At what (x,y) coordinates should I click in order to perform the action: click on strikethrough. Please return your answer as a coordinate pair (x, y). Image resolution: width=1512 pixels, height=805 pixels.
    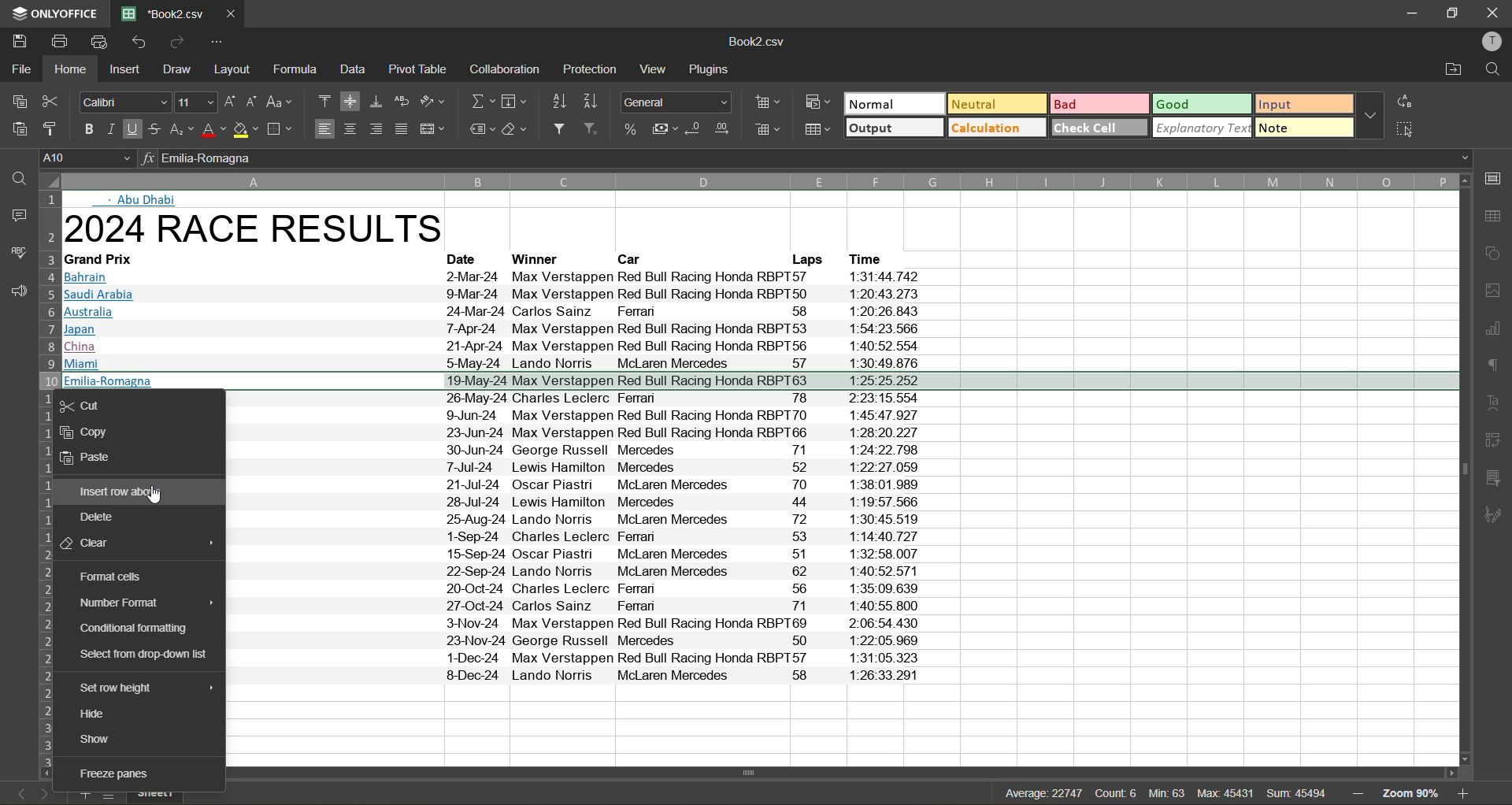
    Looking at the image, I should click on (156, 128).